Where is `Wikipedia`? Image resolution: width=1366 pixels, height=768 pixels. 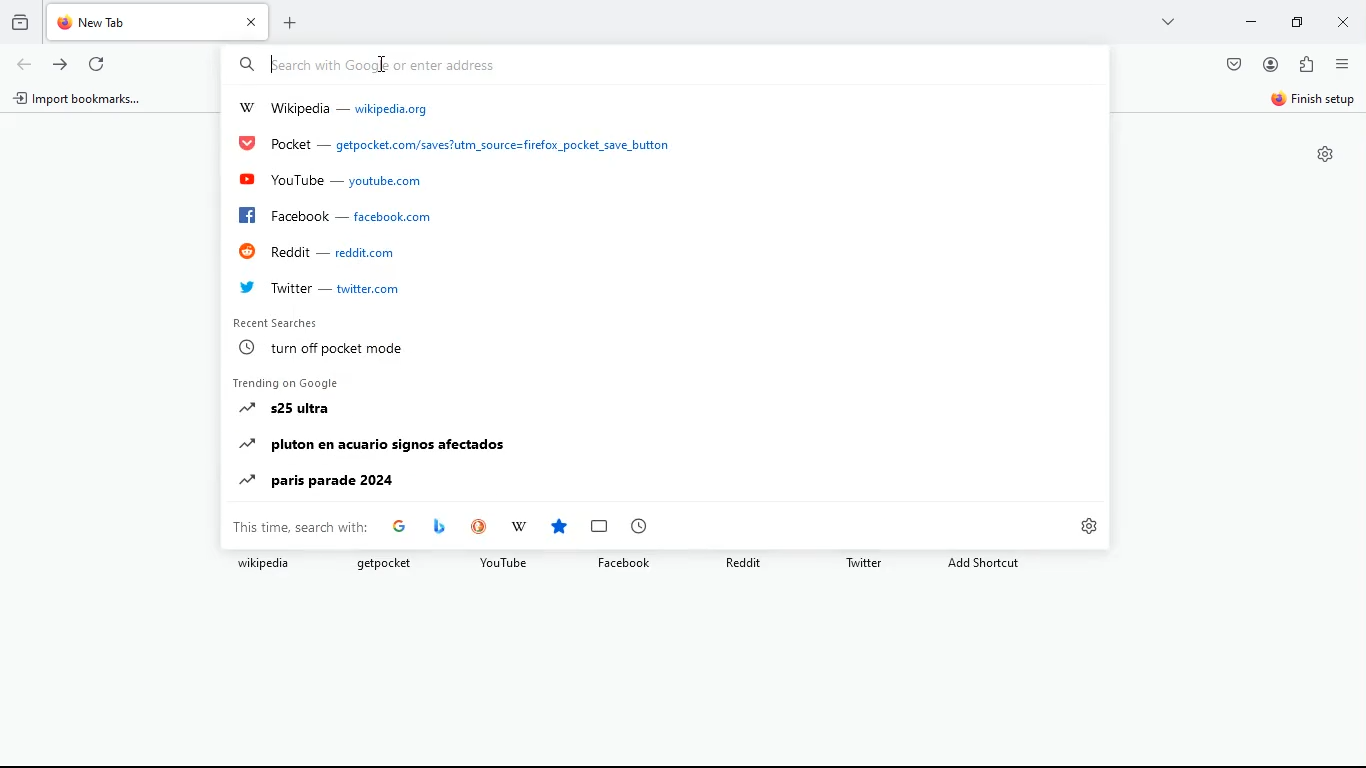 Wikipedia is located at coordinates (519, 525).